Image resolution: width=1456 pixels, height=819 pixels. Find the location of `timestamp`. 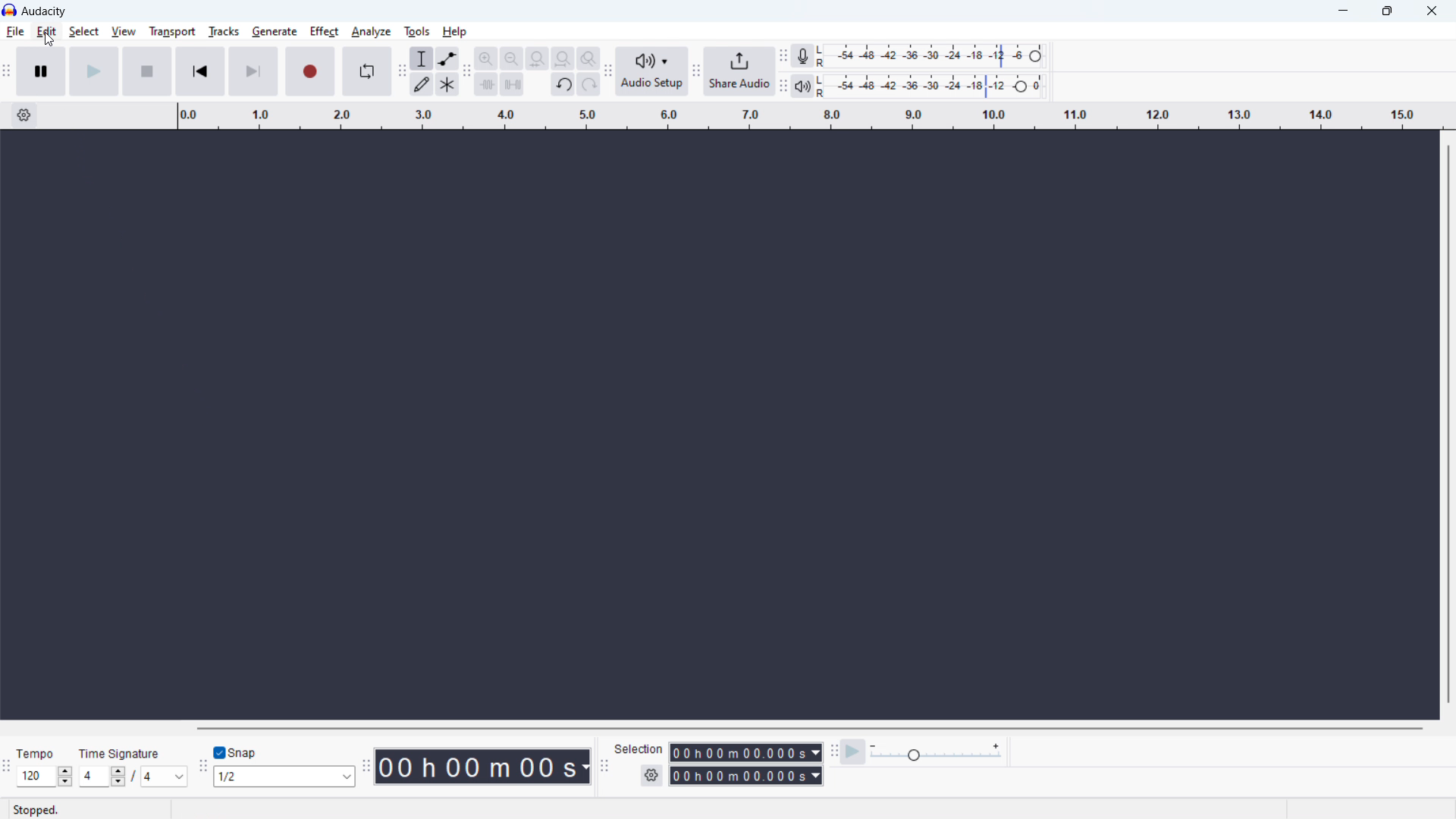

timestamp is located at coordinates (475, 767).